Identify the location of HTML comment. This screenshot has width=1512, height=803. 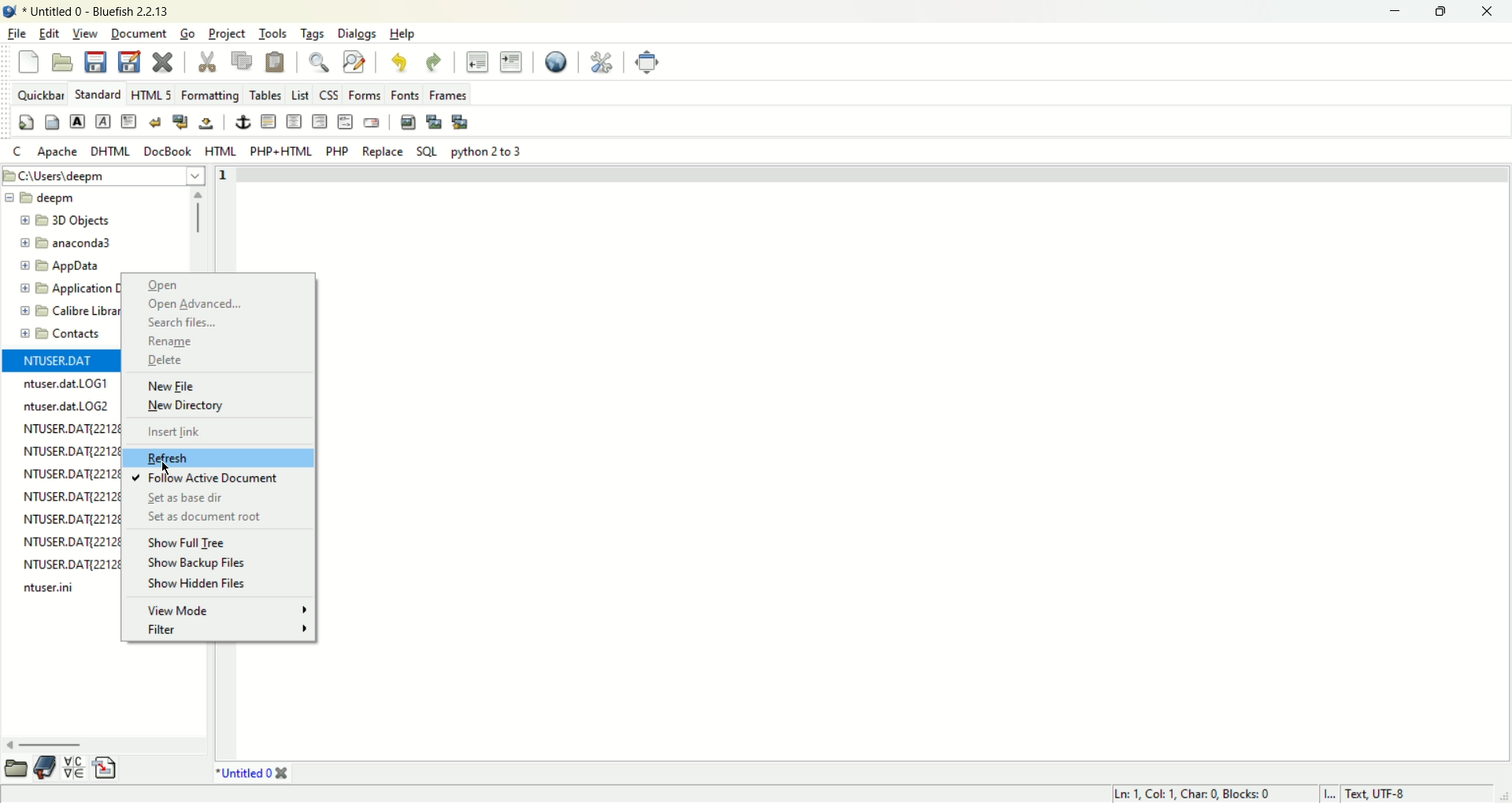
(344, 121).